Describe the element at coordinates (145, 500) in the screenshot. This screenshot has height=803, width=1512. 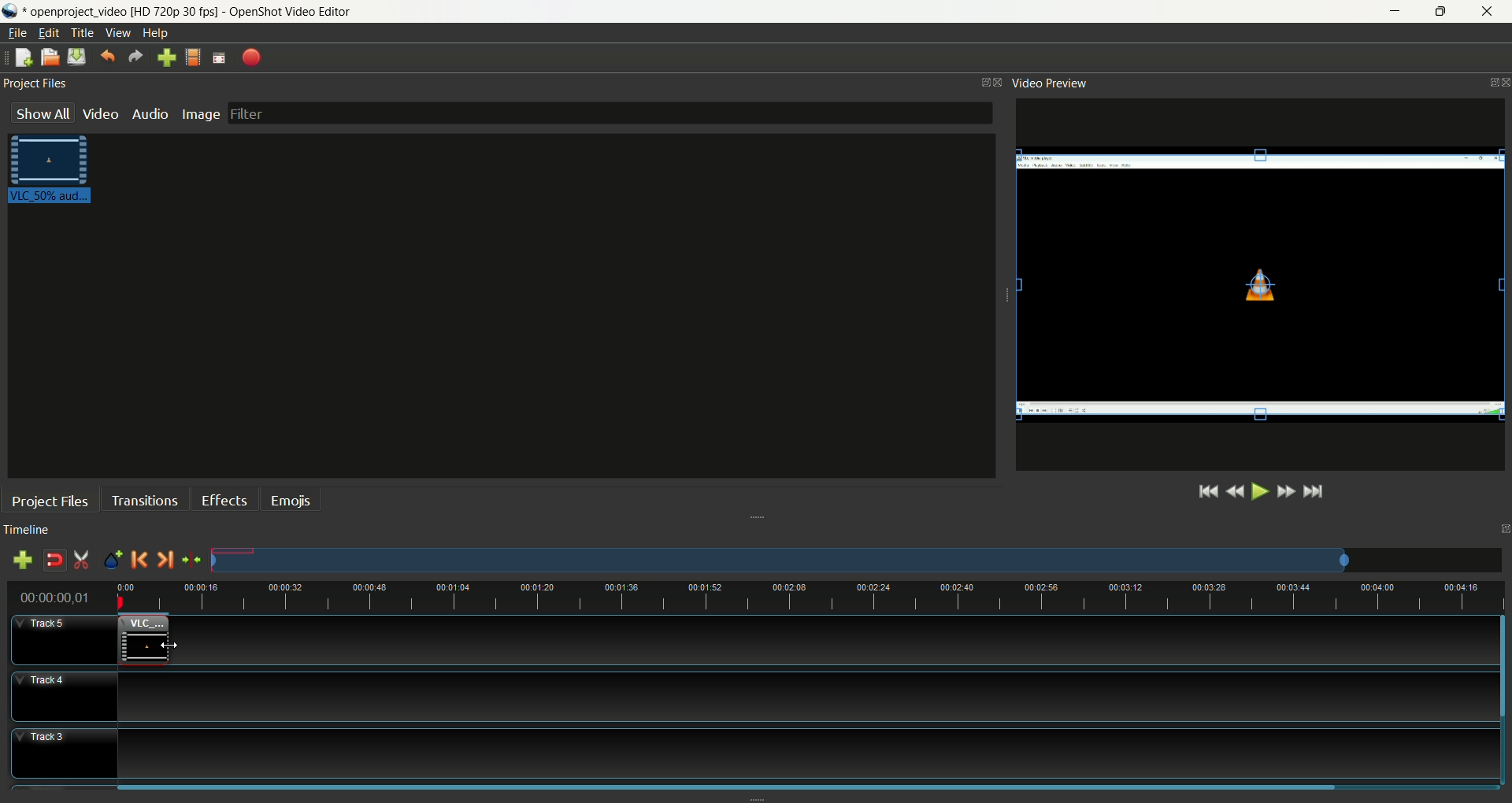
I see `transitions` at that location.